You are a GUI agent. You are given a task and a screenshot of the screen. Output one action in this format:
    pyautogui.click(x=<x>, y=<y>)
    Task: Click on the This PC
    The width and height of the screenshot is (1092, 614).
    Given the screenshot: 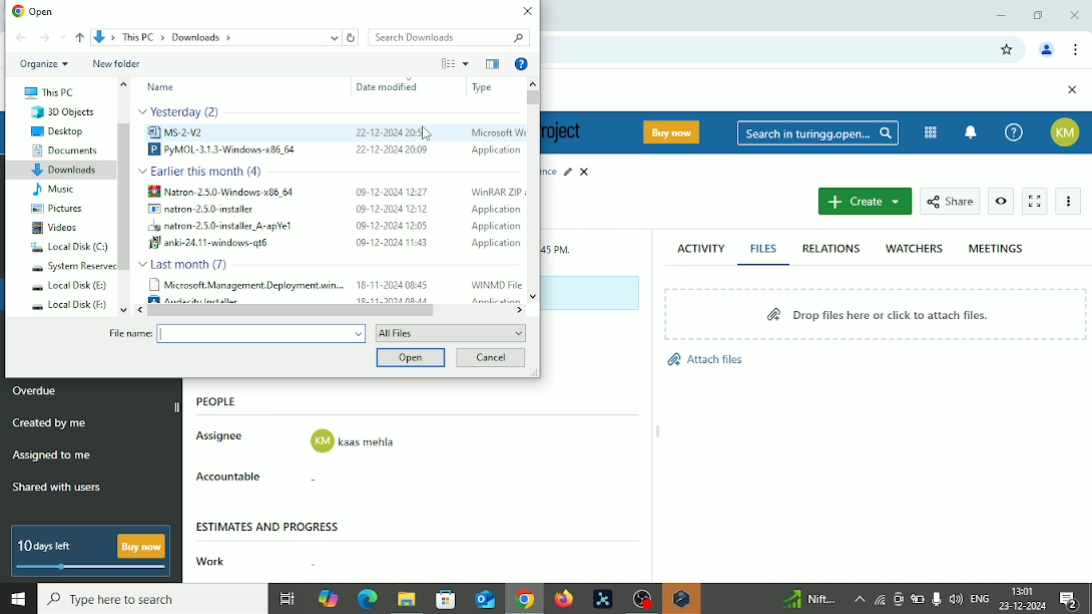 What is the action you would take?
    pyautogui.click(x=46, y=92)
    